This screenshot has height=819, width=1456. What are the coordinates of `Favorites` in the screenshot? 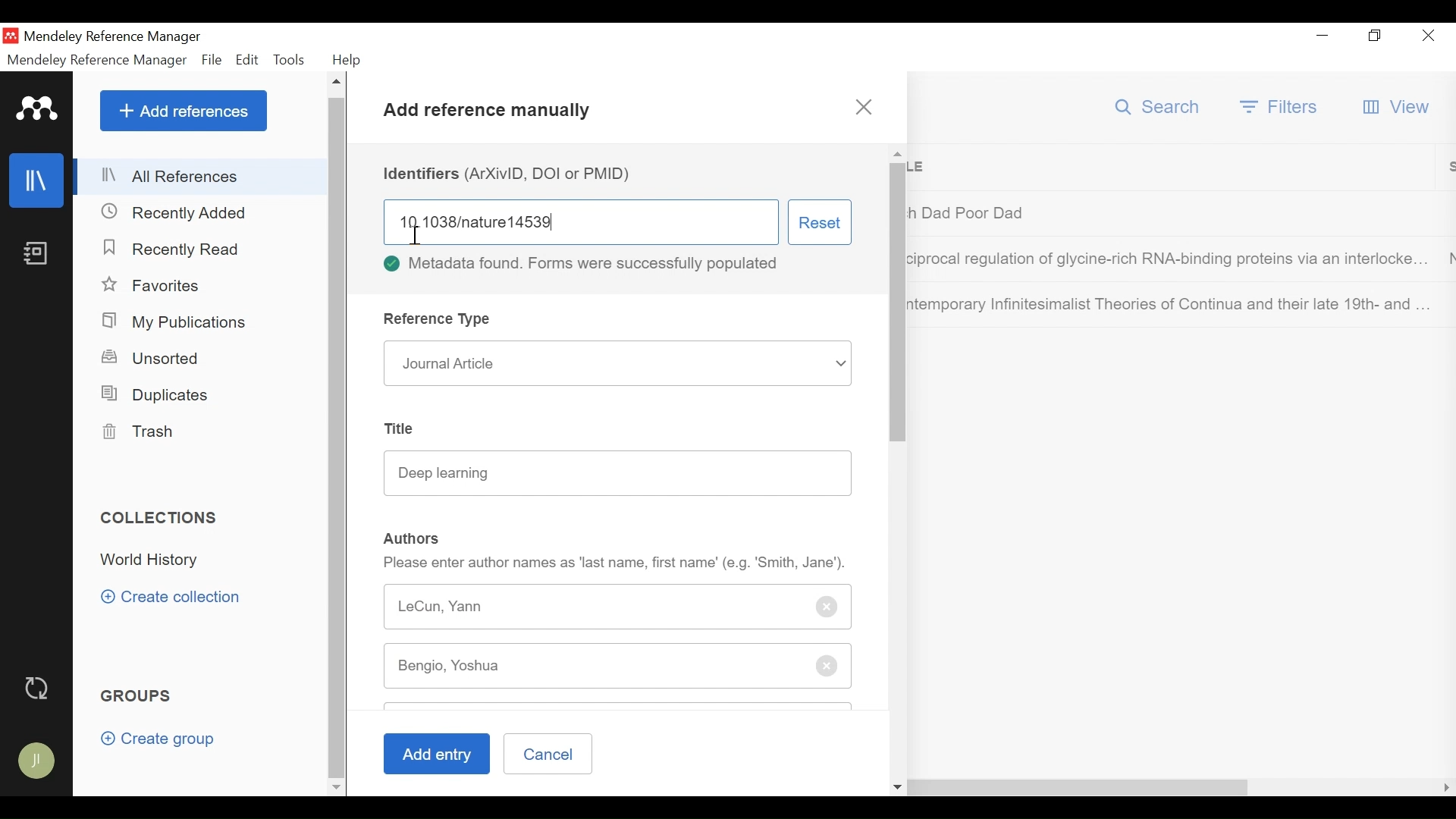 It's located at (153, 285).